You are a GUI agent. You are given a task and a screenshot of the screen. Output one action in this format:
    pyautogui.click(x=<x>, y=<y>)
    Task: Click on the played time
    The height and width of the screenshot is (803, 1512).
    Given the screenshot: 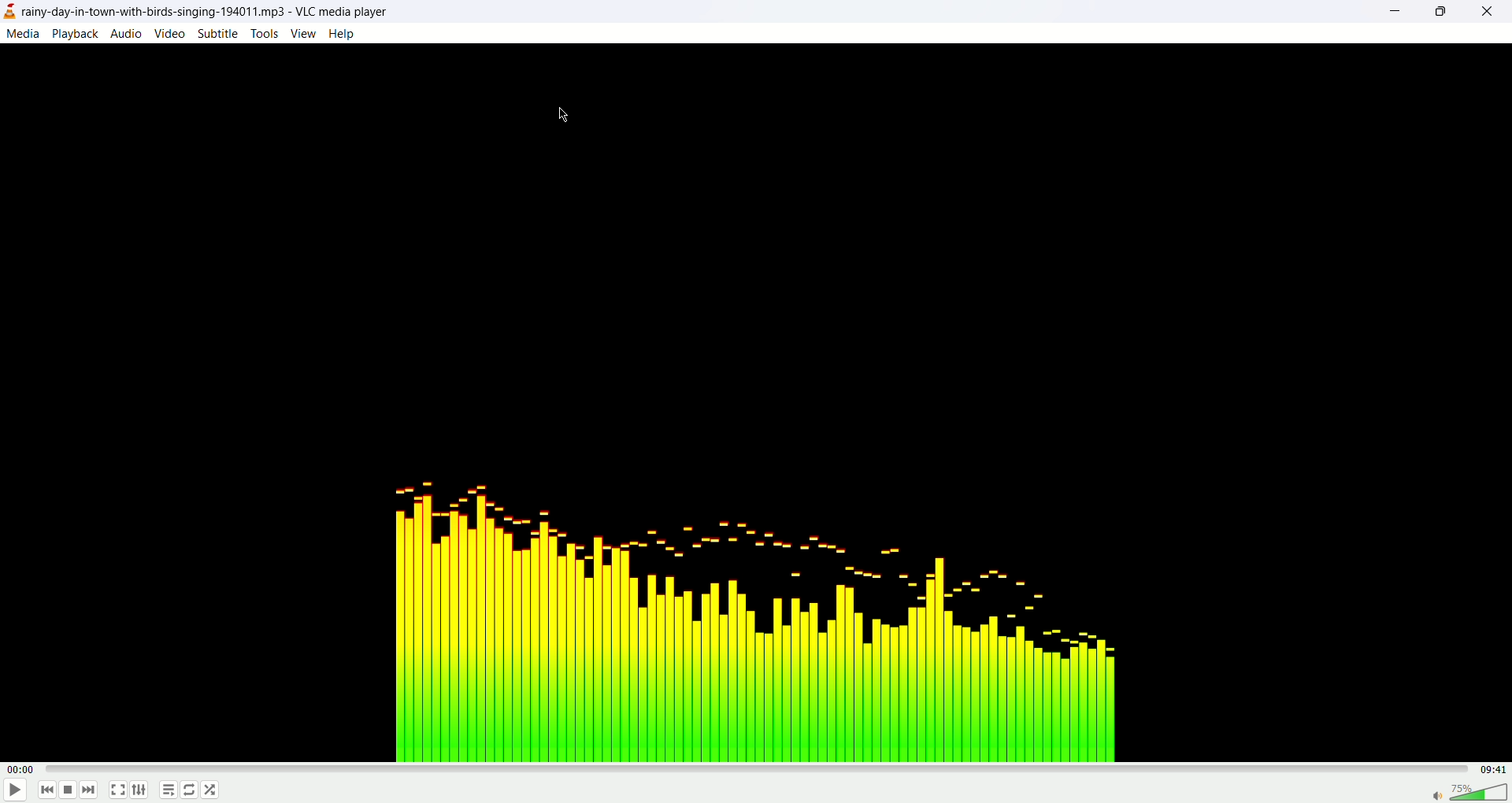 What is the action you would take?
    pyautogui.click(x=24, y=770)
    